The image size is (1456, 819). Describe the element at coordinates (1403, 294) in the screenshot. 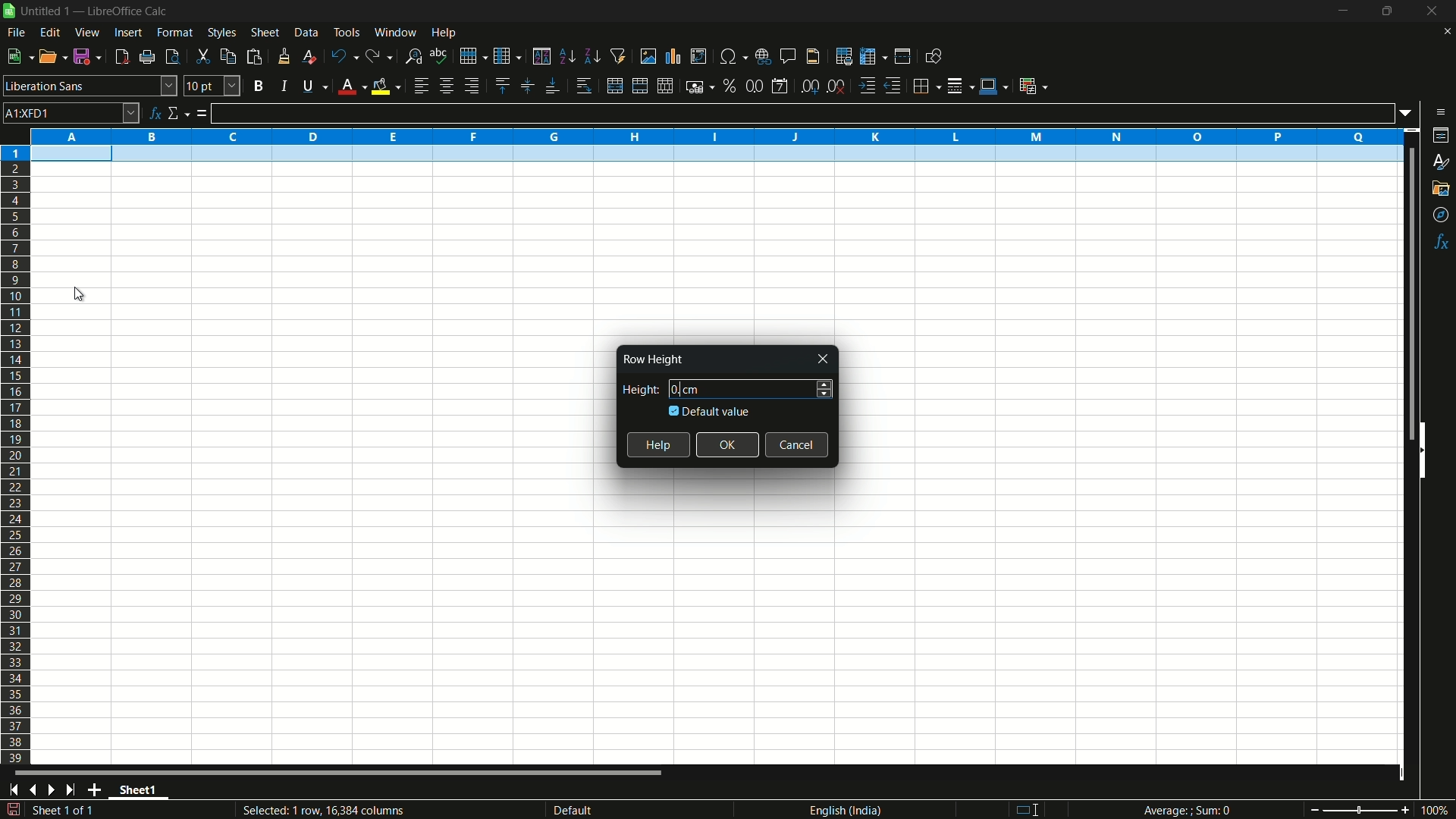

I see `scroll bar` at that location.